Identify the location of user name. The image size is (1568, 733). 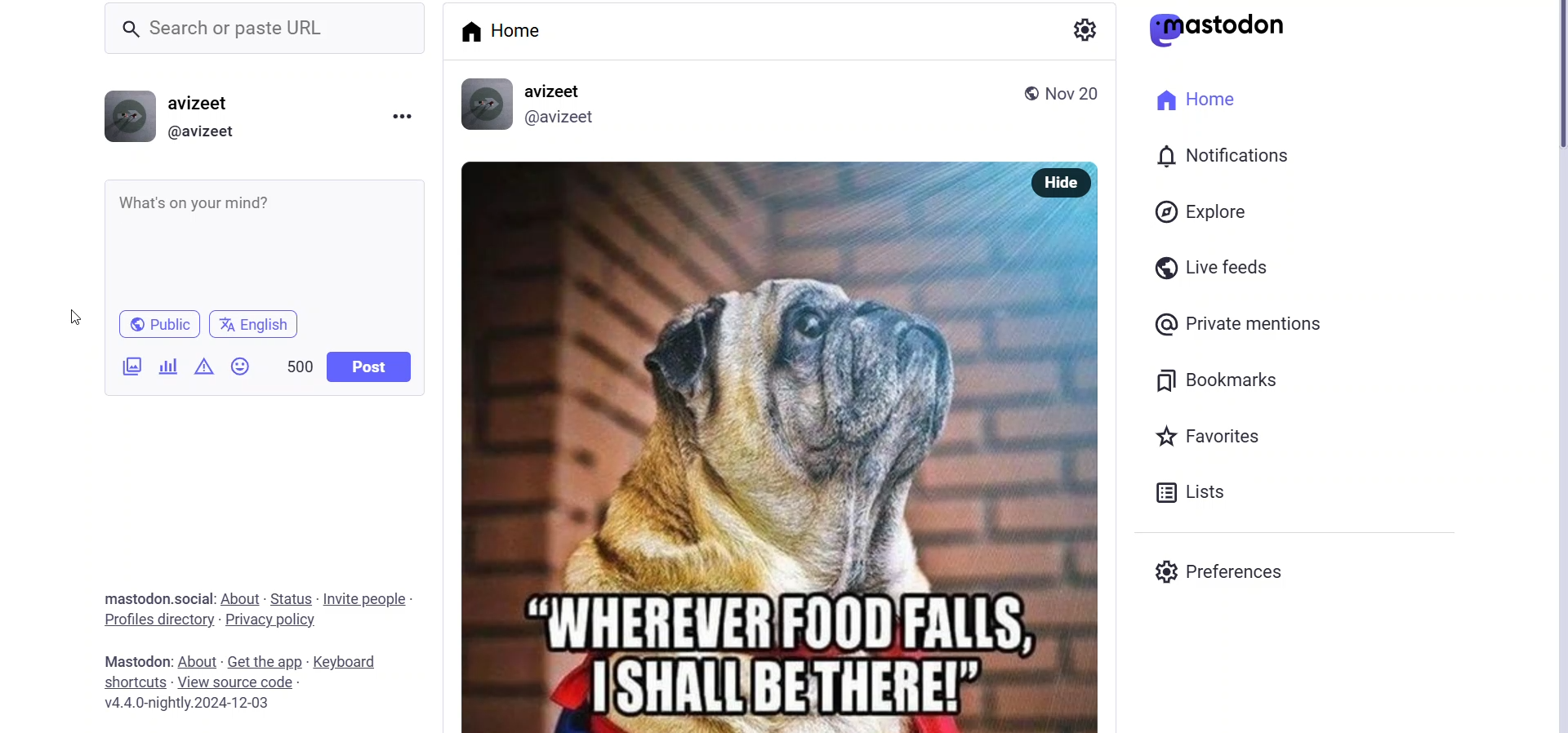
(207, 101).